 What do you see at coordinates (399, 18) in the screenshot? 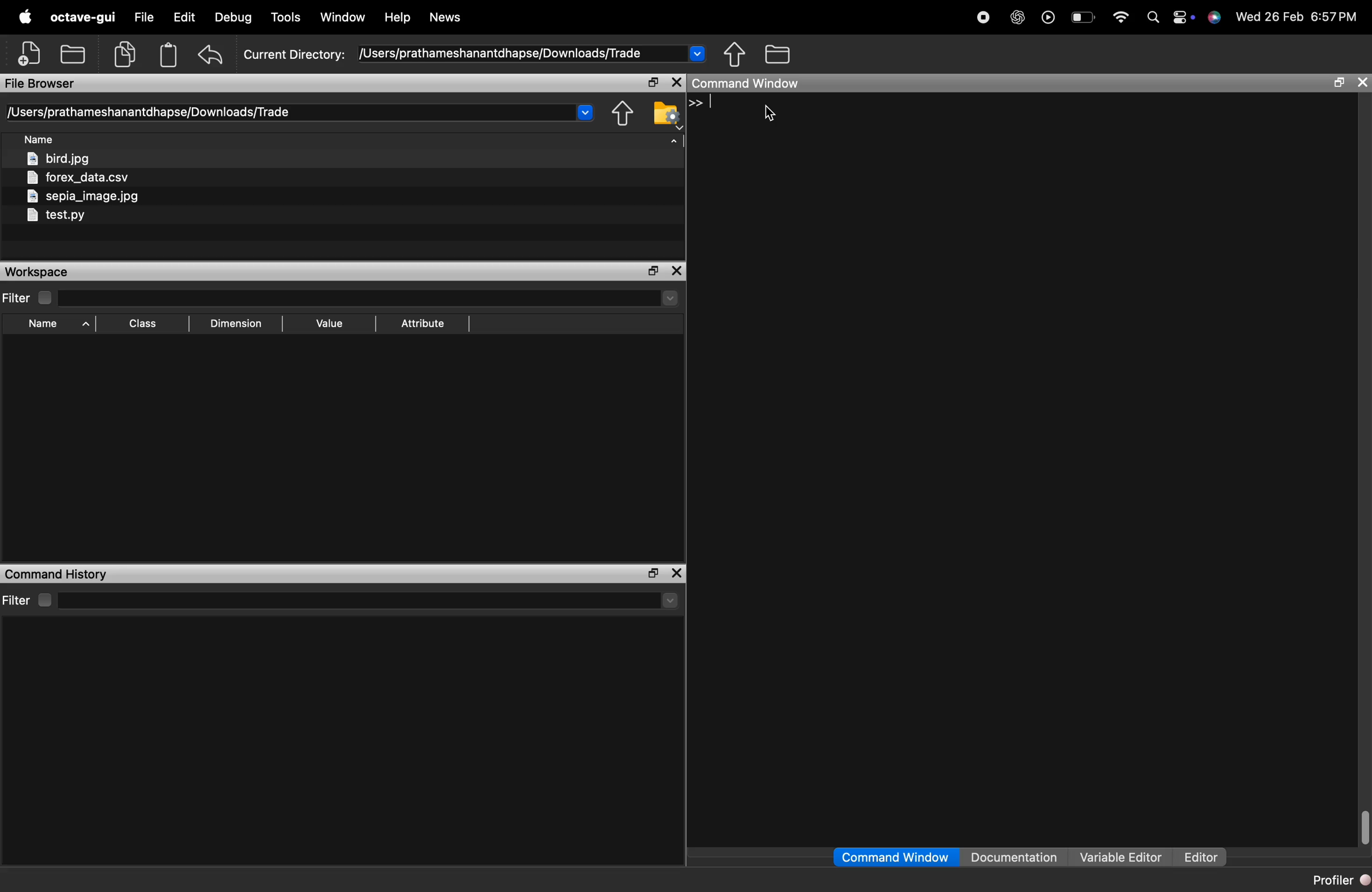
I see `help` at bounding box center [399, 18].